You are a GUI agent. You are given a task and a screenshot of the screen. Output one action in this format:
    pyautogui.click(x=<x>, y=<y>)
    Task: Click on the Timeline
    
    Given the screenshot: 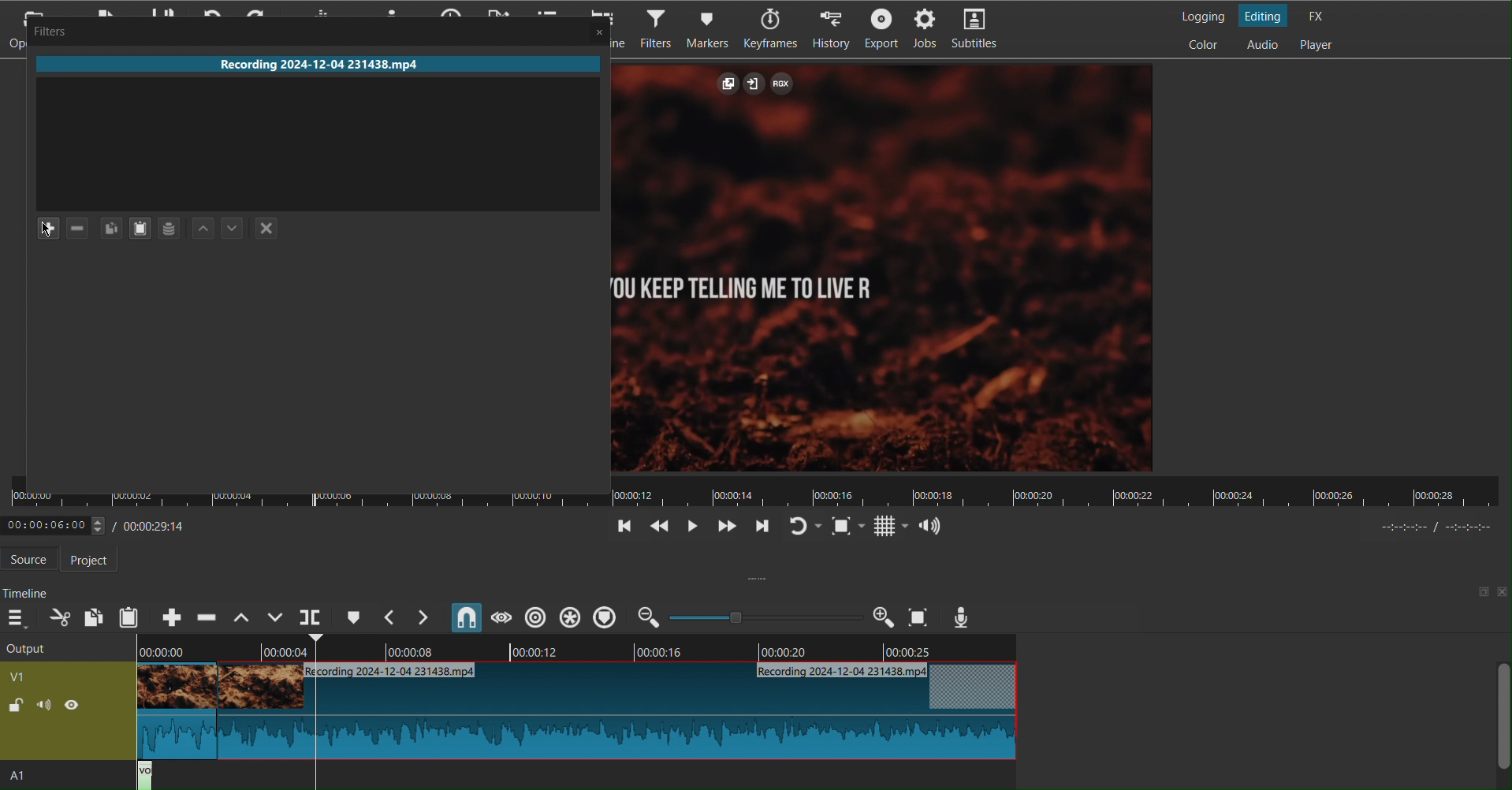 What is the action you would take?
    pyautogui.click(x=27, y=593)
    